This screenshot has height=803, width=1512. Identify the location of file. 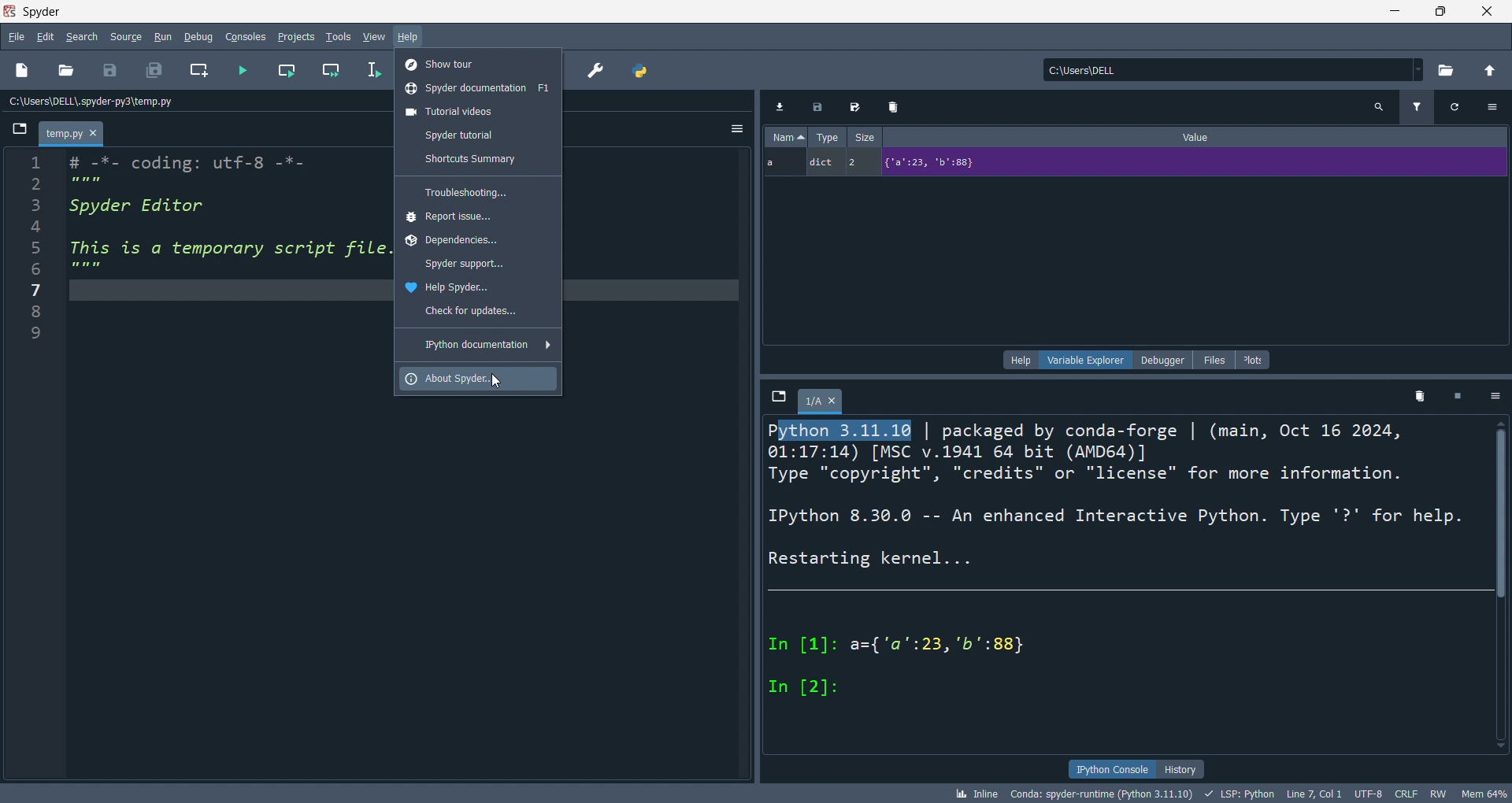
(16, 36).